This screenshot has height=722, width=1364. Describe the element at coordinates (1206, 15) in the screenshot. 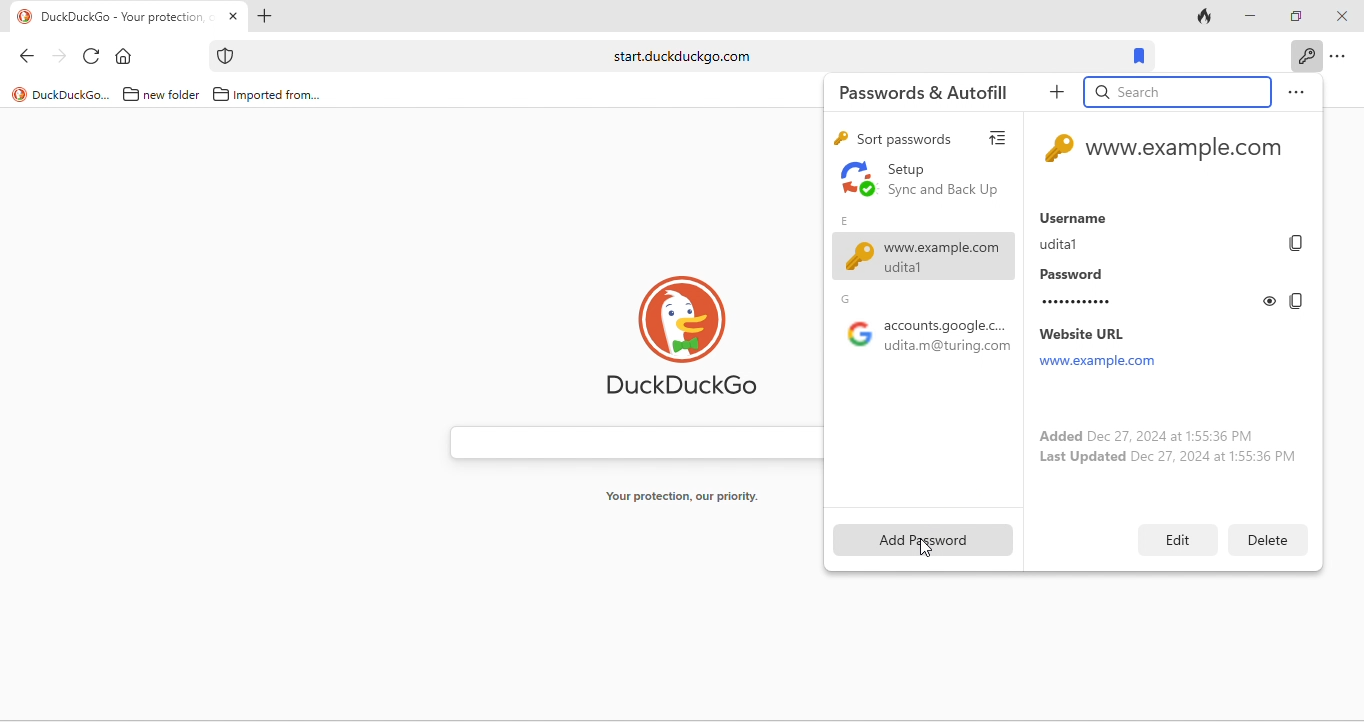

I see `track tab` at that location.